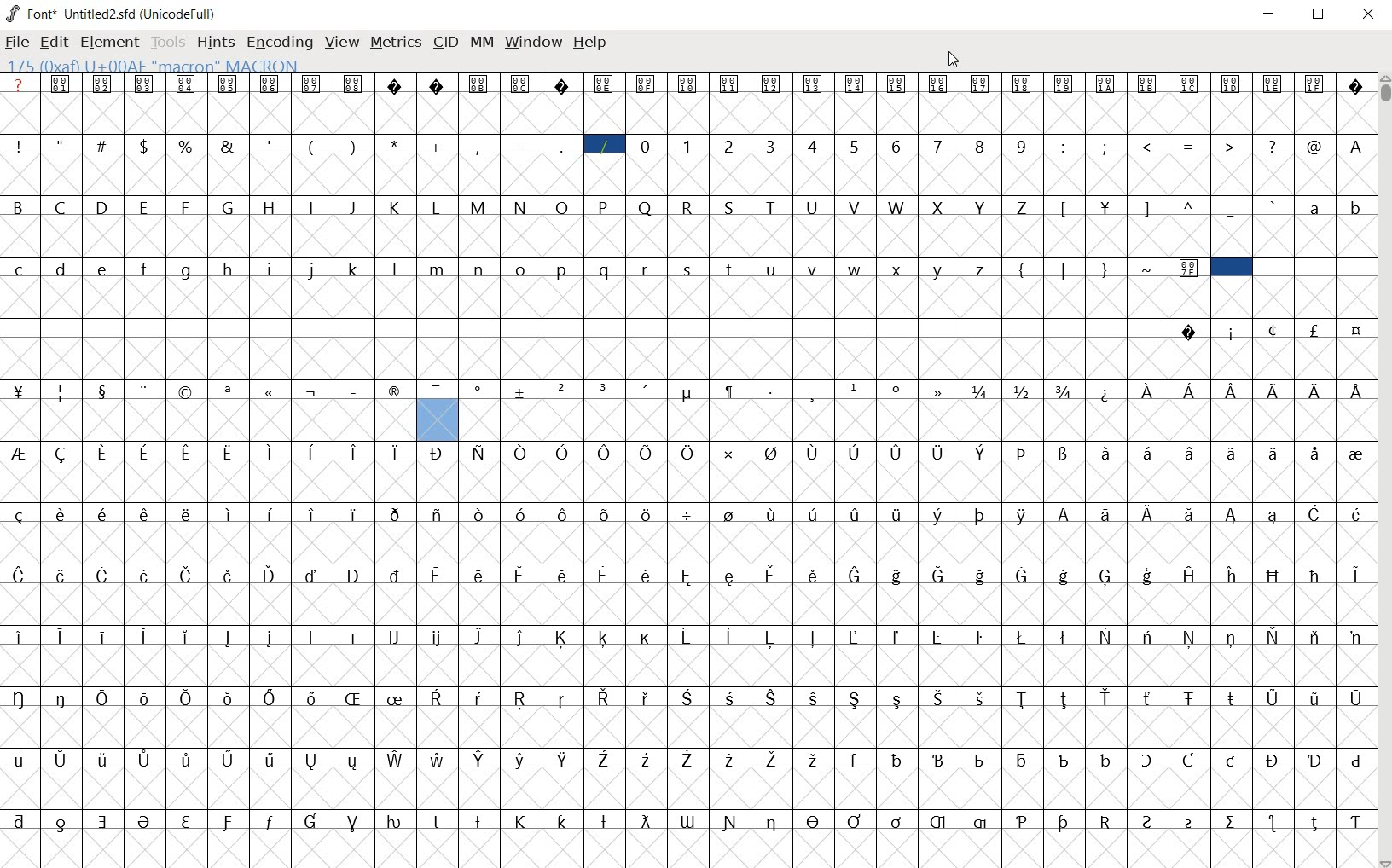 This screenshot has width=1392, height=868. What do you see at coordinates (438, 512) in the screenshot?
I see `Symbol` at bounding box center [438, 512].